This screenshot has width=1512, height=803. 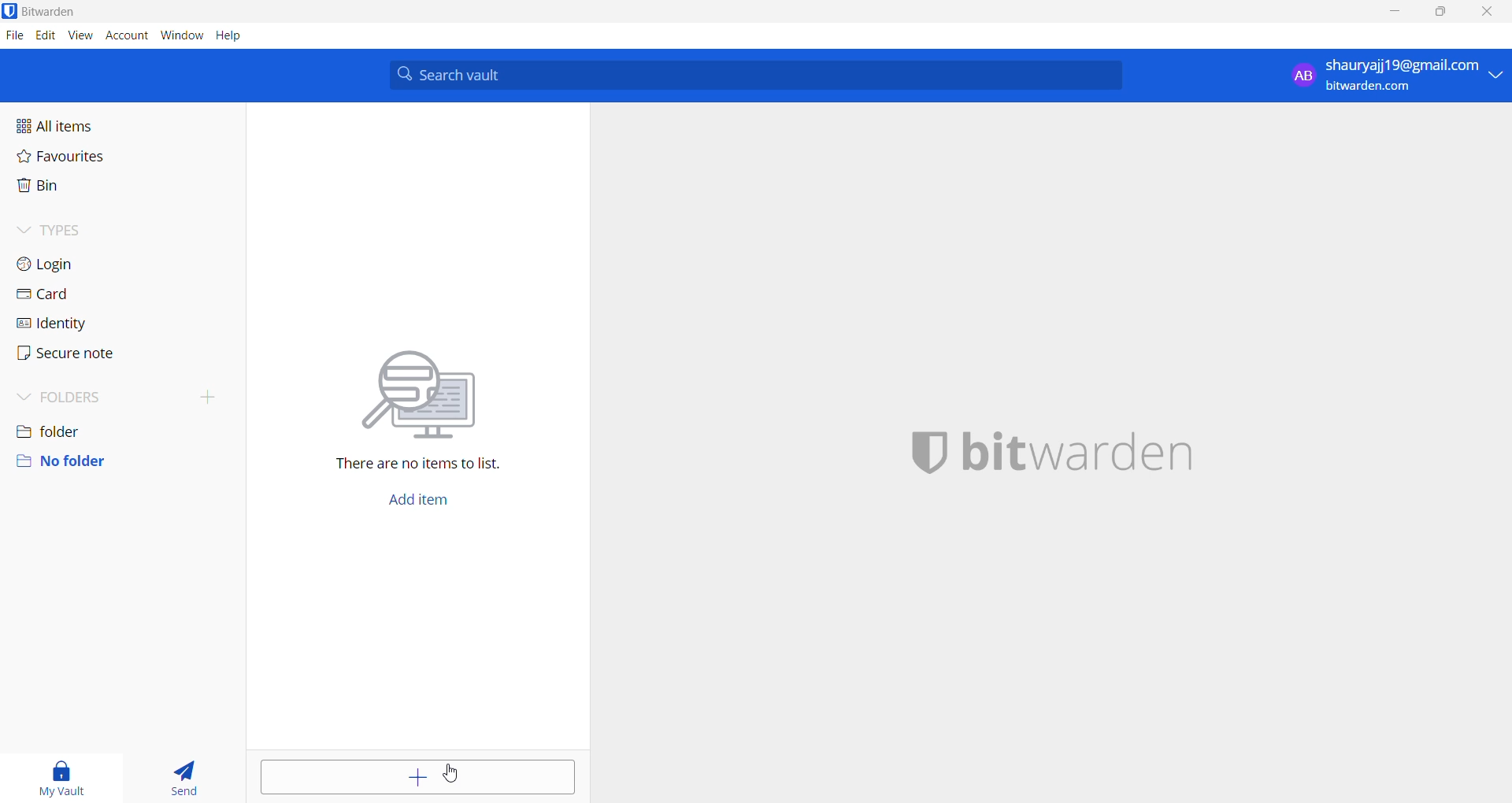 I want to click on secure note, so click(x=80, y=354).